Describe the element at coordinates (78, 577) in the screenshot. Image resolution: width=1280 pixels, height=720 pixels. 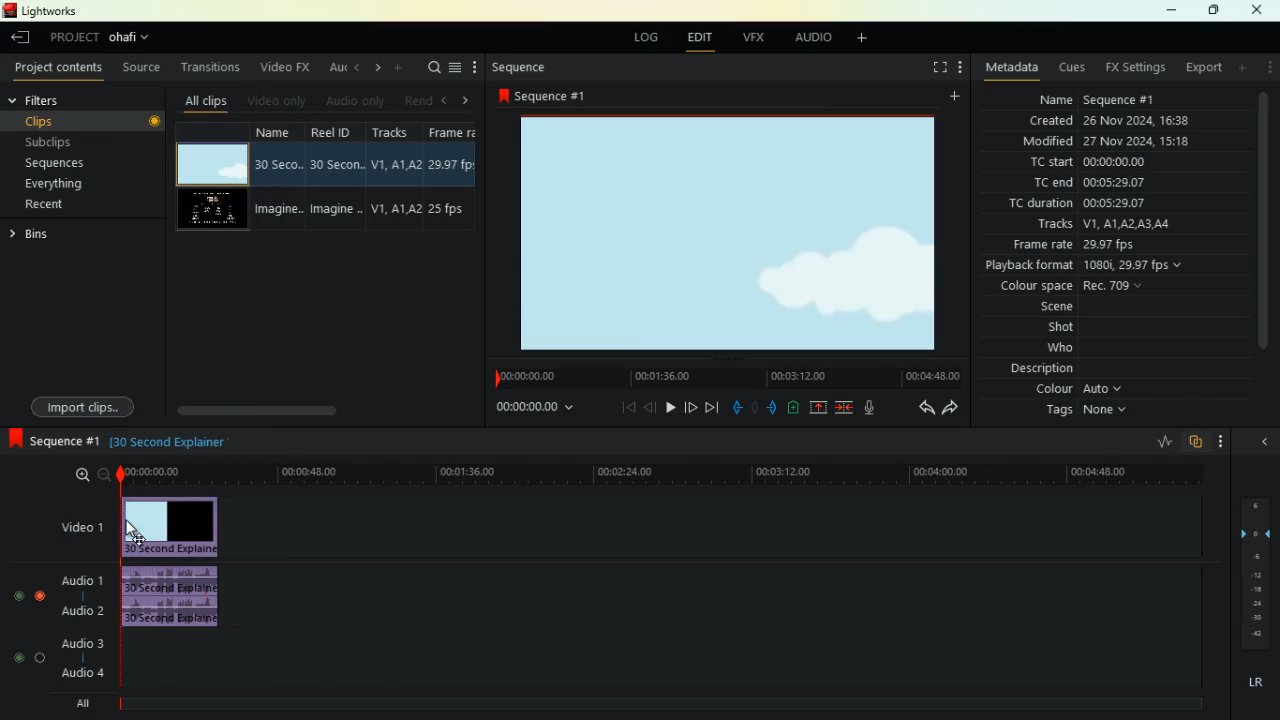
I see `audio1` at that location.